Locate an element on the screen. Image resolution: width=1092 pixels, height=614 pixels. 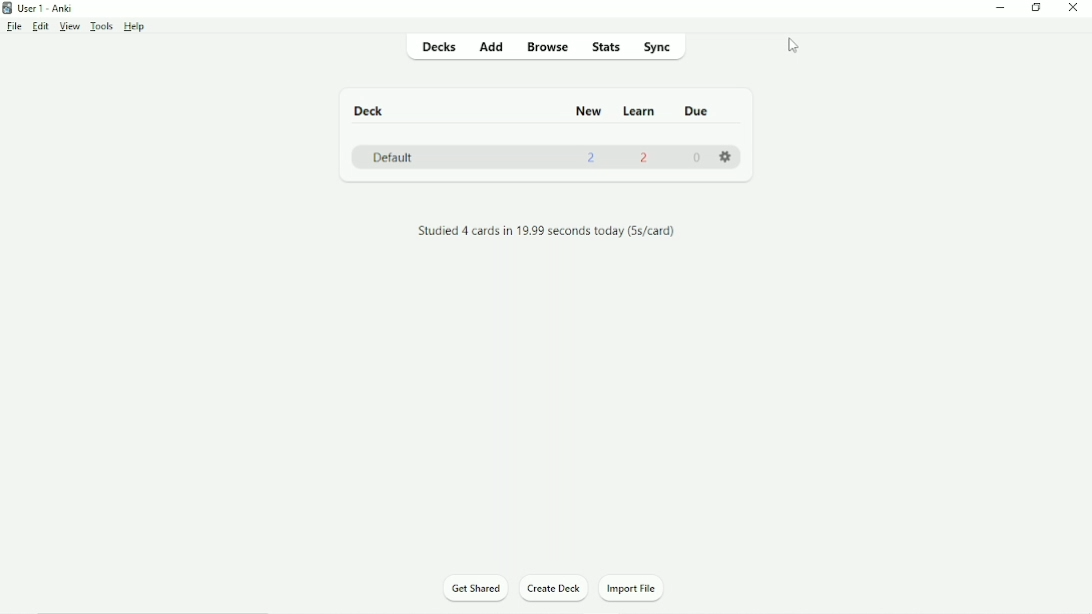
New is located at coordinates (586, 110).